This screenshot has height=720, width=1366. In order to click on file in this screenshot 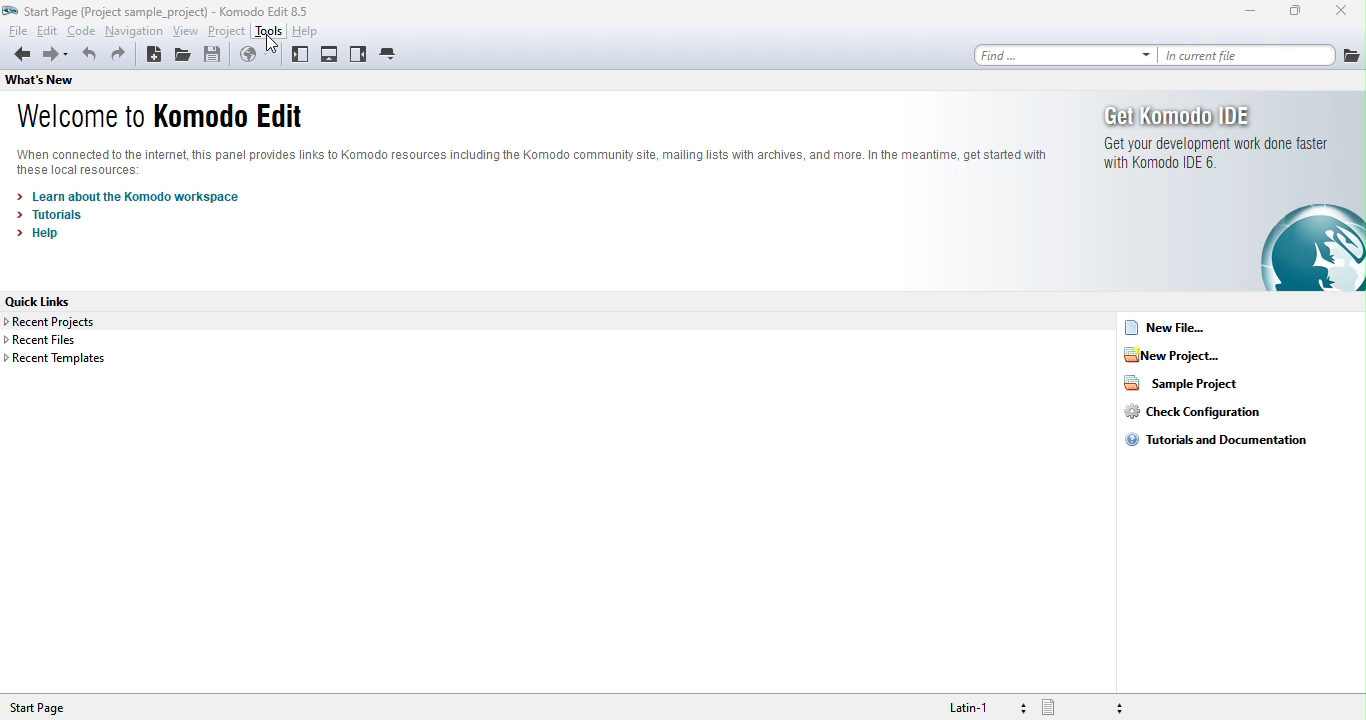, I will do `click(15, 30)`.